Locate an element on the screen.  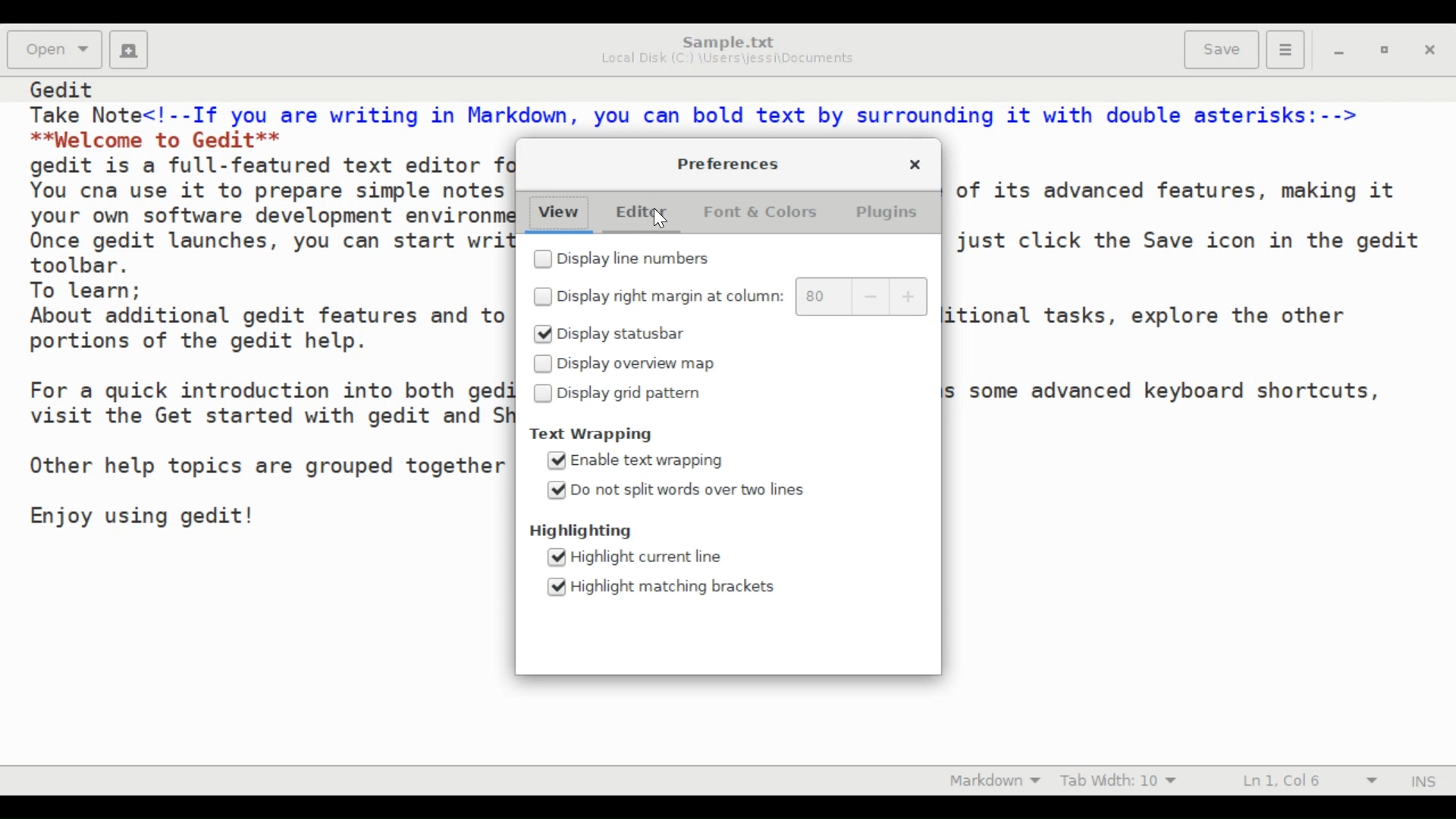
(un)select Display grid pattern is located at coordinates (626, 394).